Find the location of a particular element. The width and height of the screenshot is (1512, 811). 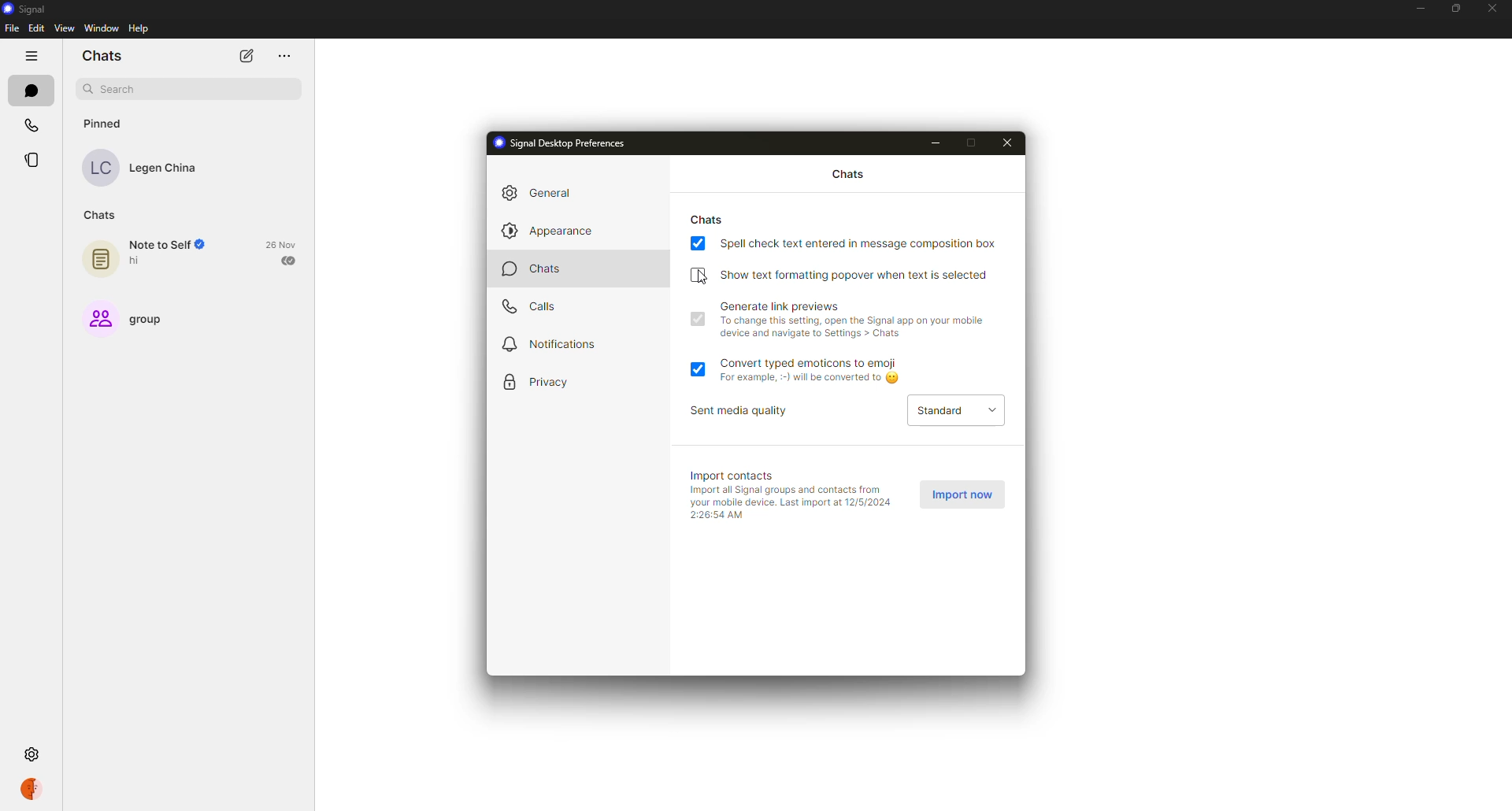

show text formatting popover when text is selected is located at coordinates (857, 274).